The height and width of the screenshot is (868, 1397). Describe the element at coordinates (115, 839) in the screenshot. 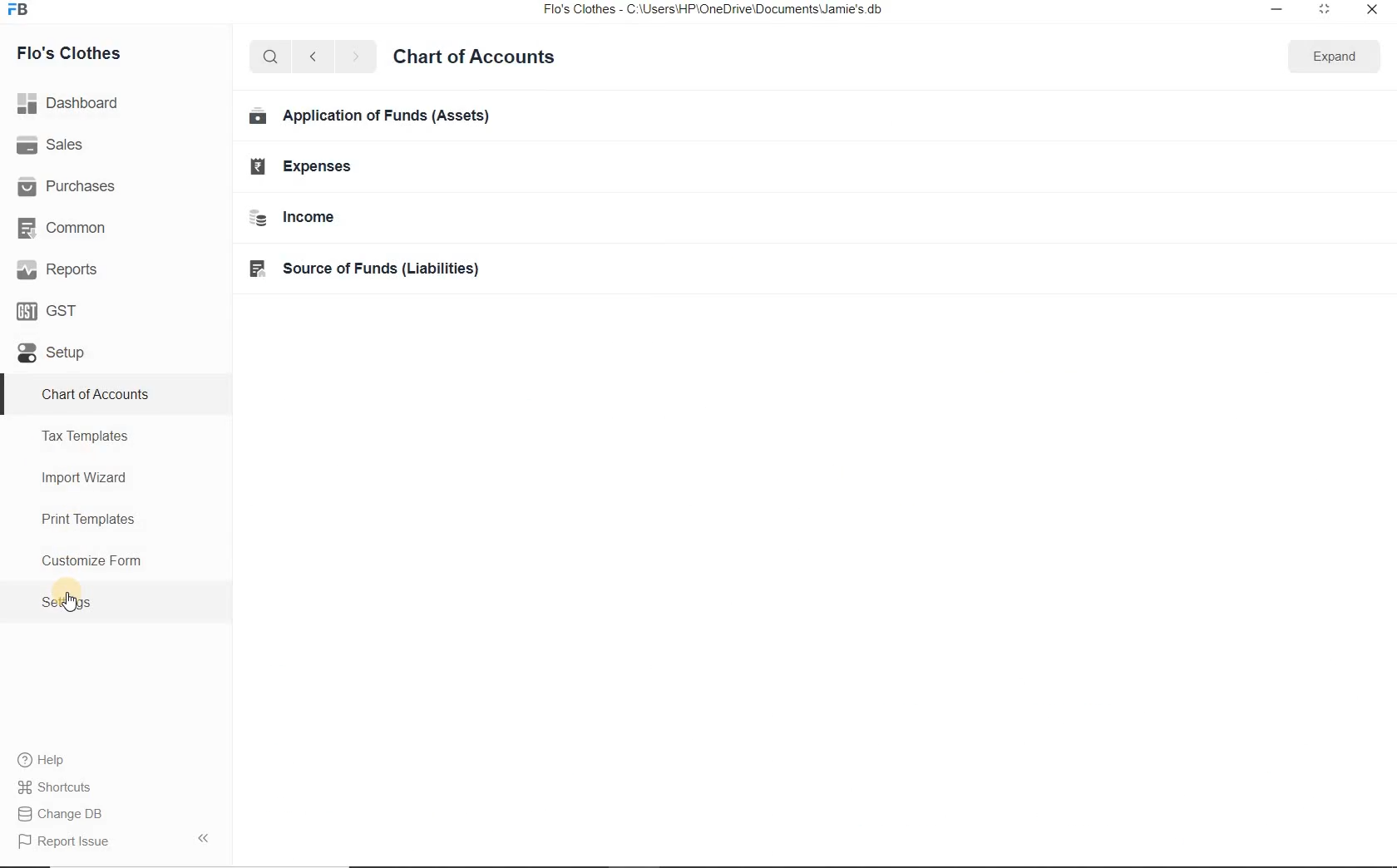

I see `Report Issue` at that location.